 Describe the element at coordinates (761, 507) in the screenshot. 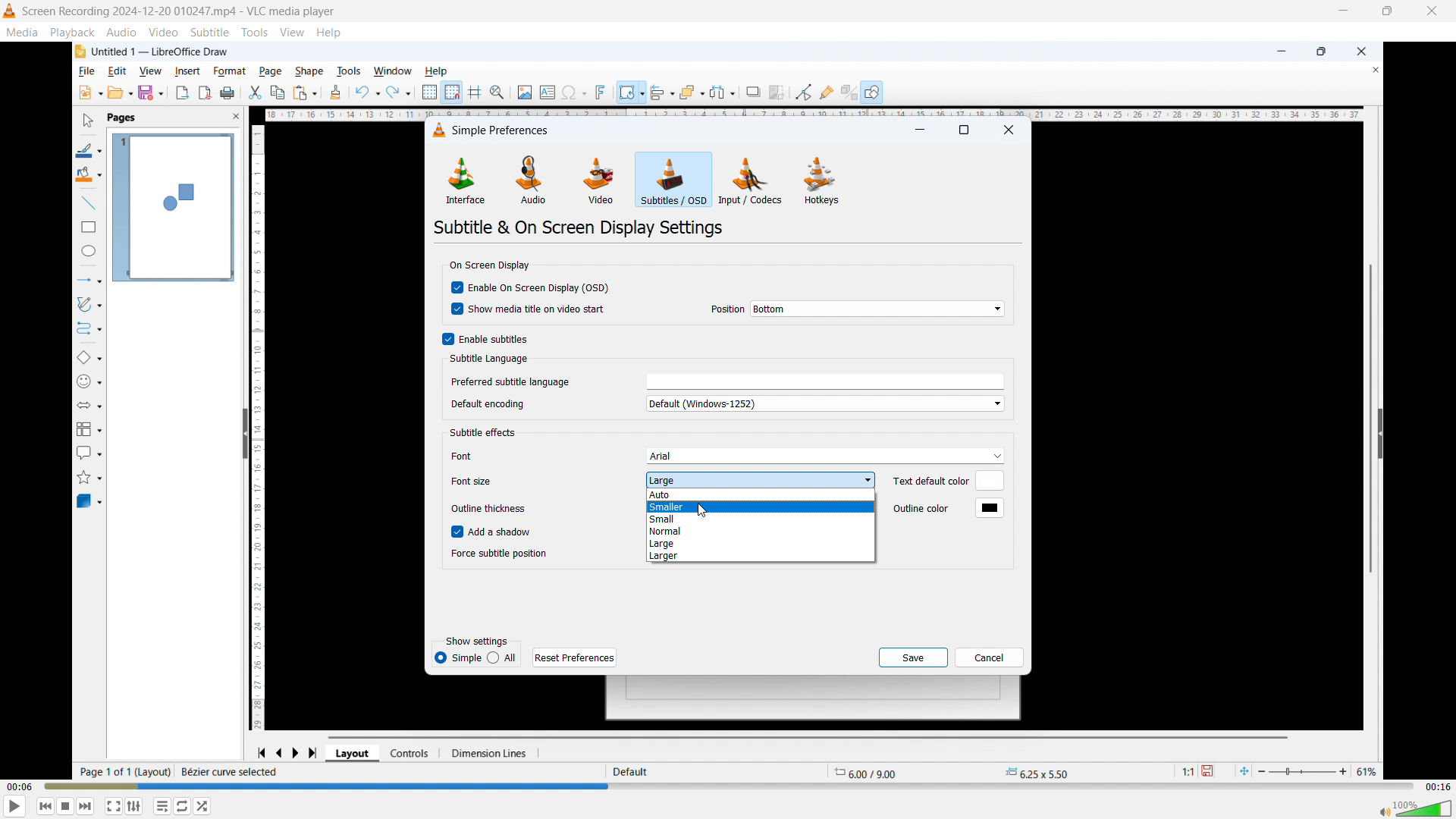

I see `Smaller ` at that location.